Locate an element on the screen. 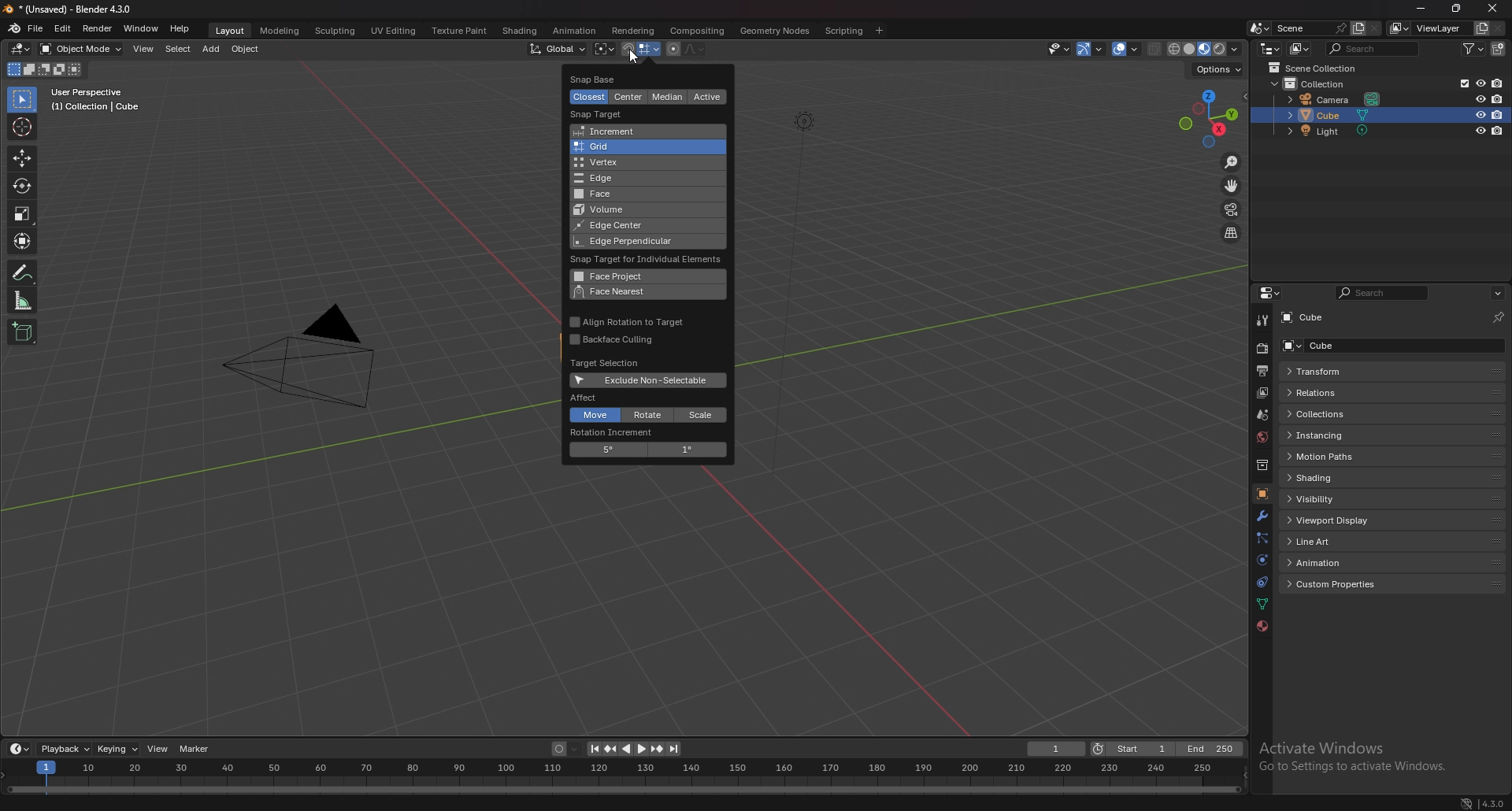 The height and width of the screenshot is (811, 1512). collection is located at coordinates (1322, 83).